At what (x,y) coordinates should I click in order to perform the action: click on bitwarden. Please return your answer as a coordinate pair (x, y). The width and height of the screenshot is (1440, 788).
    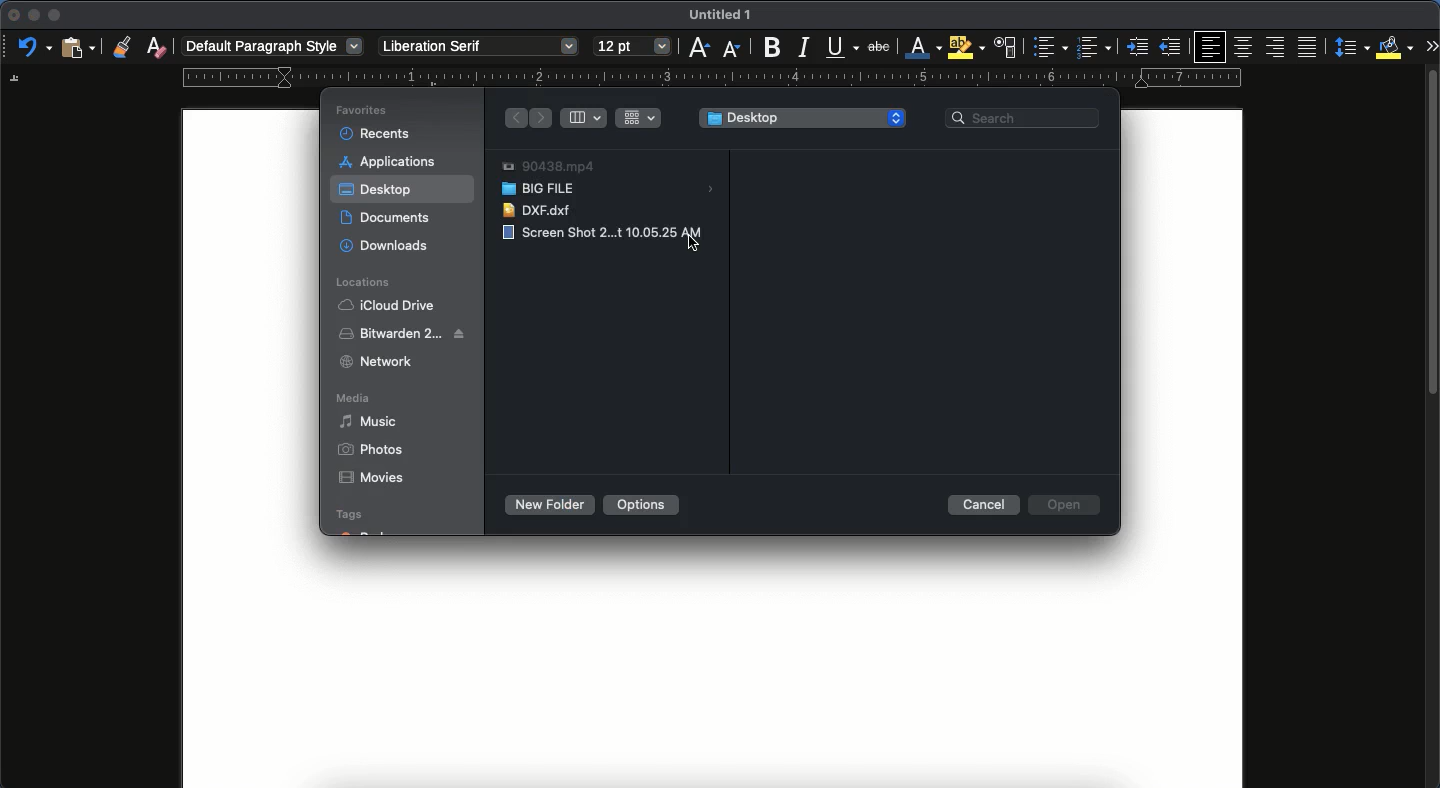
    Looking at the image, I should click on (404, 332).